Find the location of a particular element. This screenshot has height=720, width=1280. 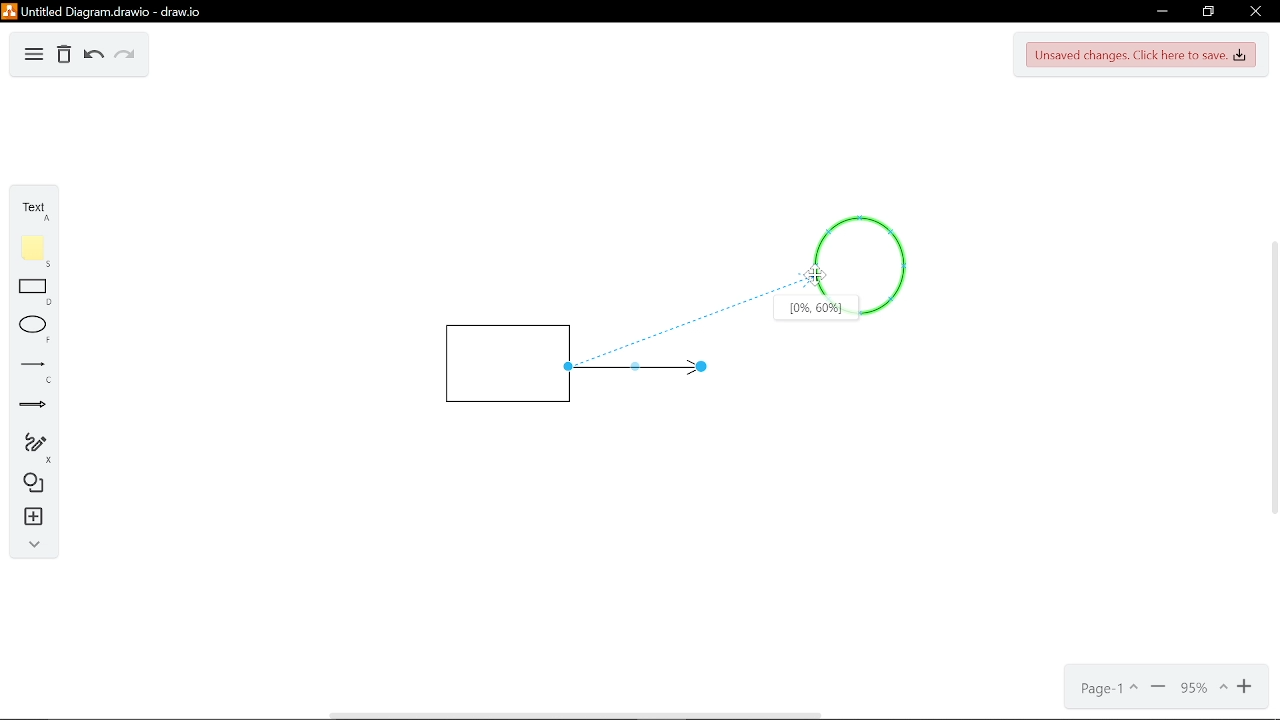

Cursor is located at coordinates (818, 279).